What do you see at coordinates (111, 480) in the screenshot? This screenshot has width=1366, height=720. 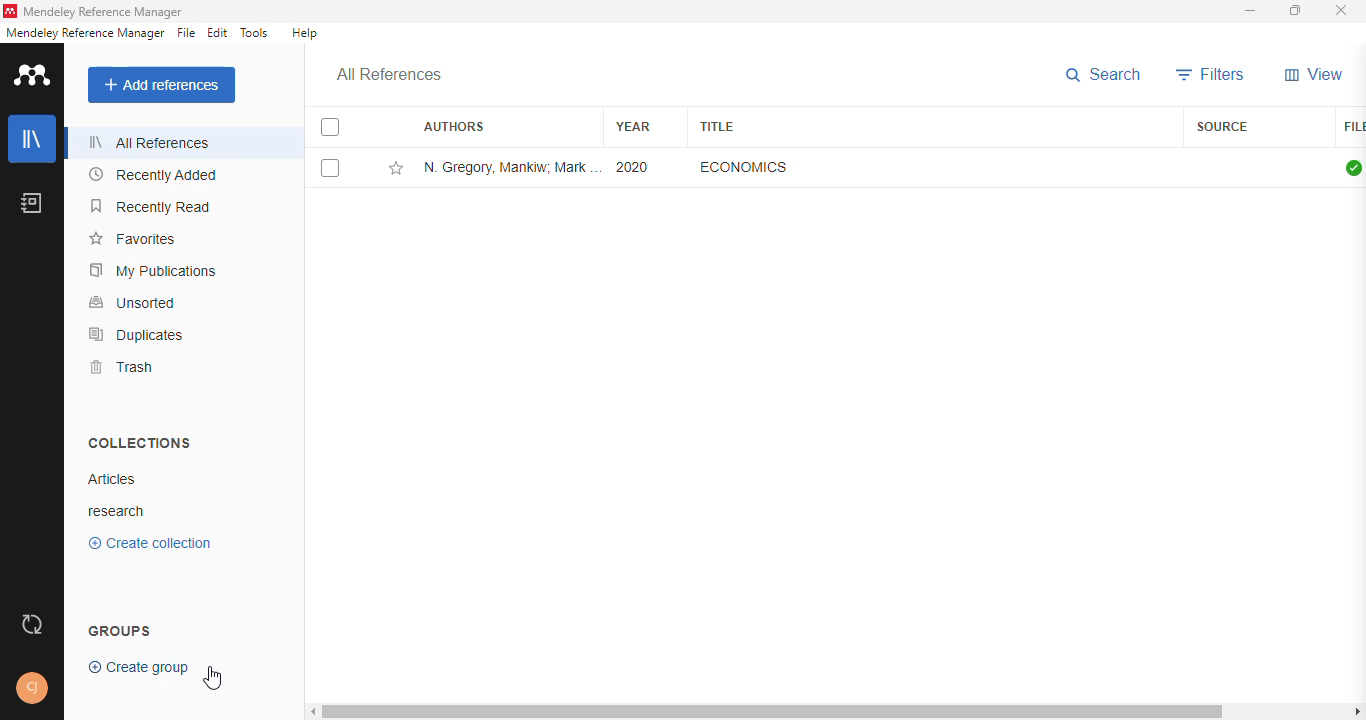 I see `articles` at bounding box center [111, 480].